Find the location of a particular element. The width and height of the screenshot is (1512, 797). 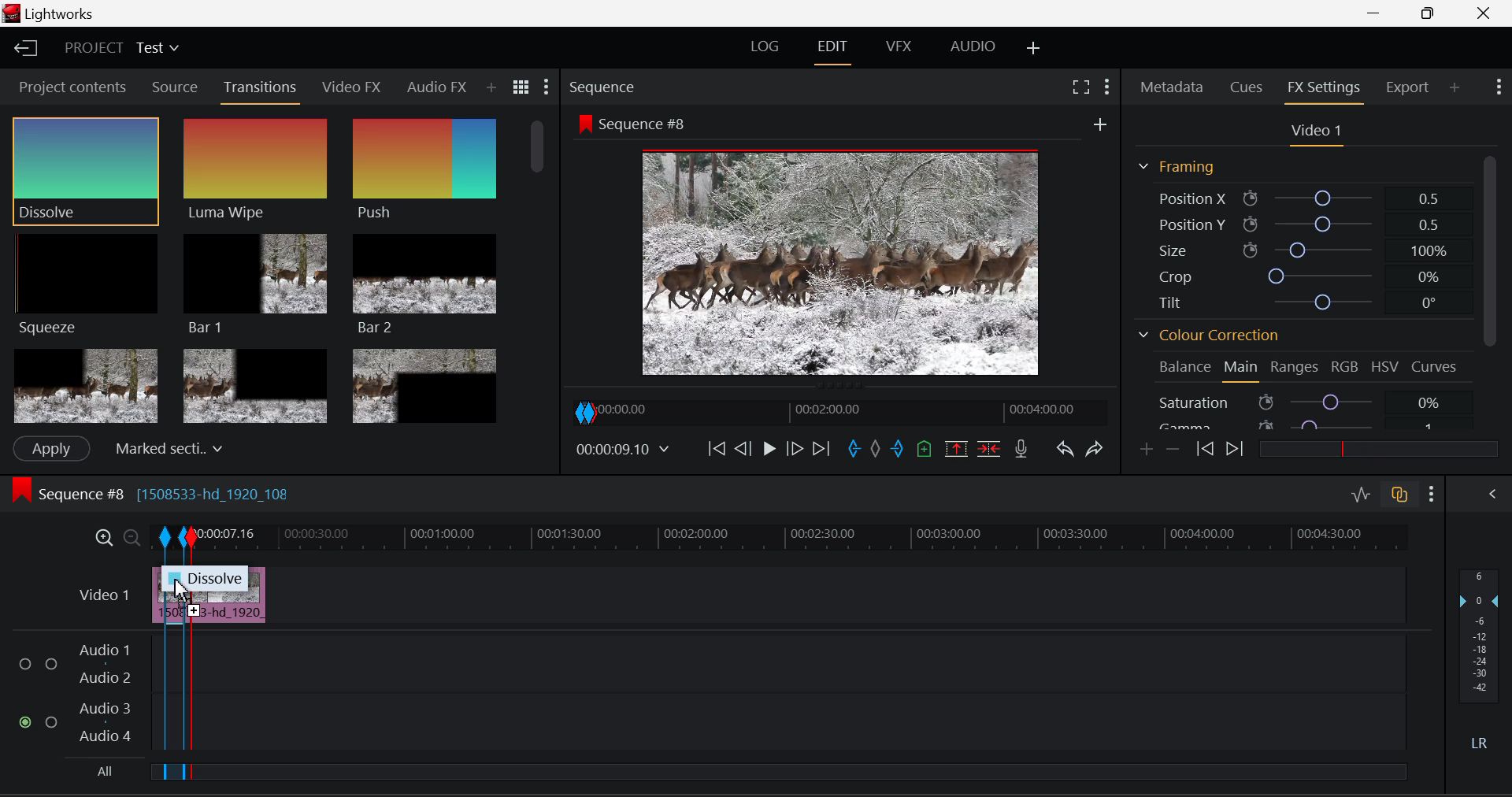

Go Forward is located at coordinates (795, 450).